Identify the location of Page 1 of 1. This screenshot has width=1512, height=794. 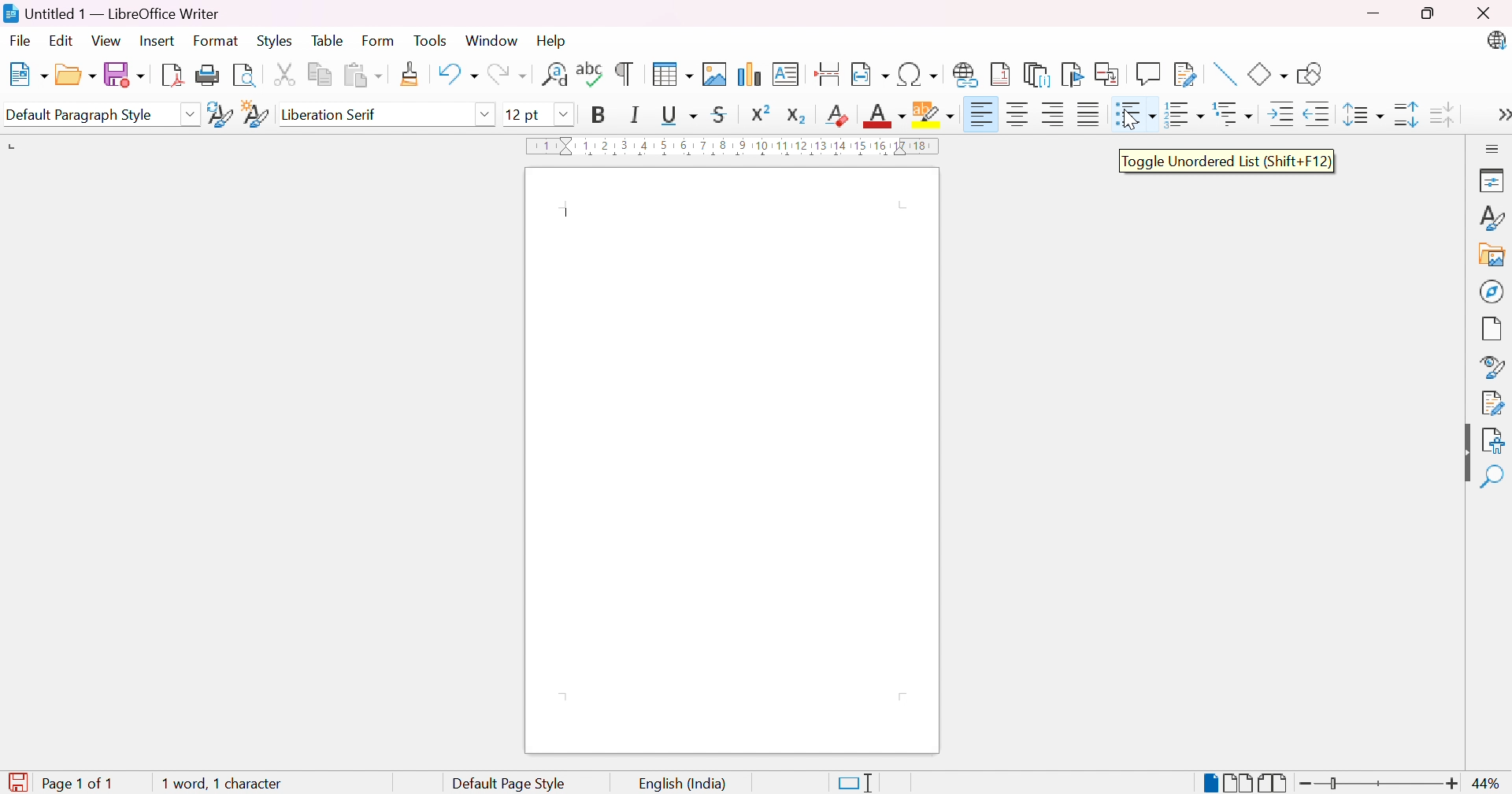
(57, 785).